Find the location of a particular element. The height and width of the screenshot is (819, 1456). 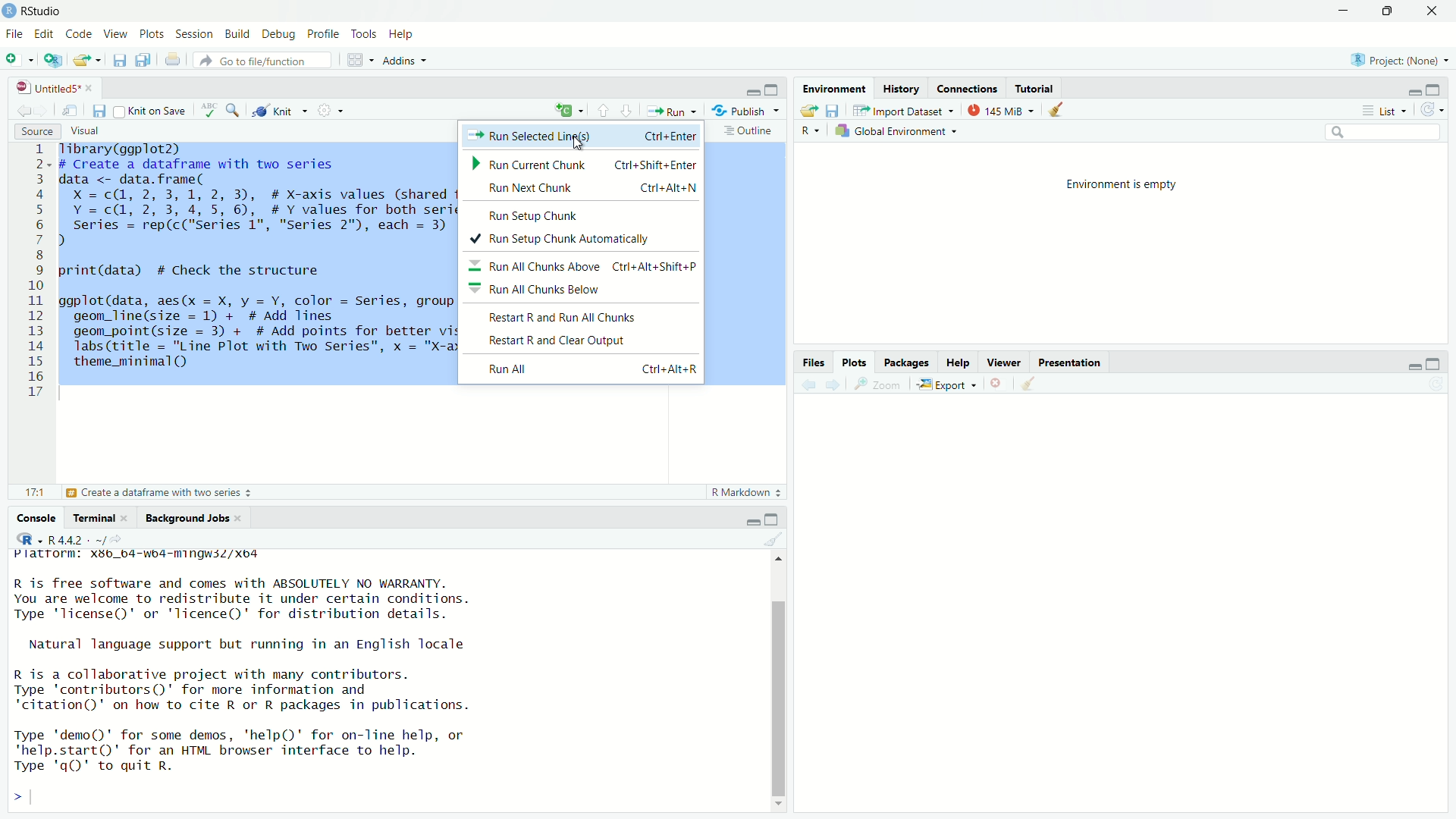

Maximize is located at coordinates (1436, 90).